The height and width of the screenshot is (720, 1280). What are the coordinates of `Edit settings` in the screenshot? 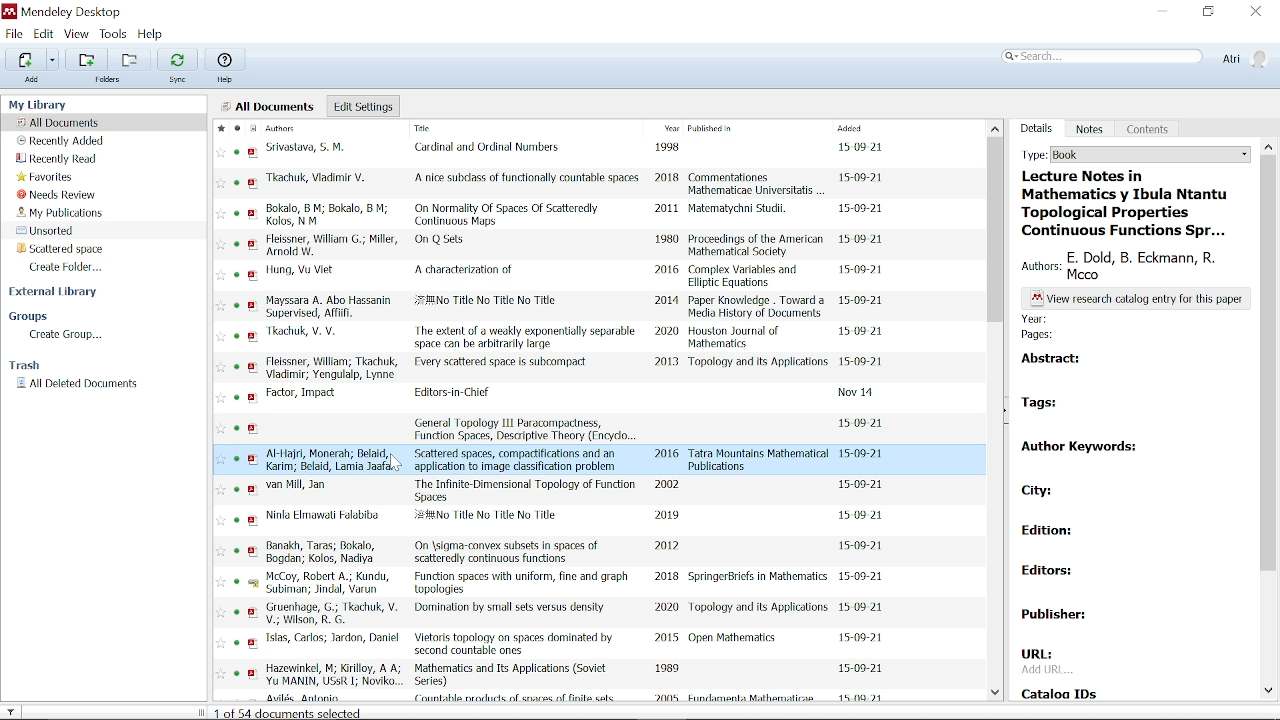 It's located at (363, 106).